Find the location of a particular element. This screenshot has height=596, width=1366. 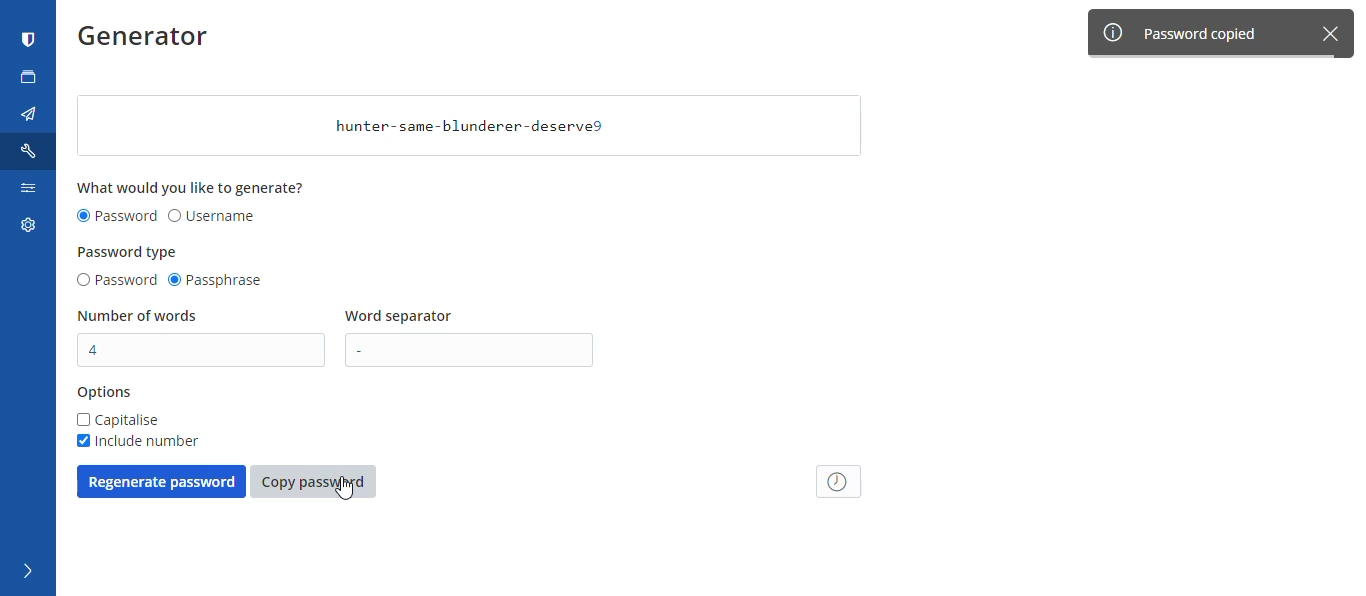

expand is located at coordinates (25, 572).